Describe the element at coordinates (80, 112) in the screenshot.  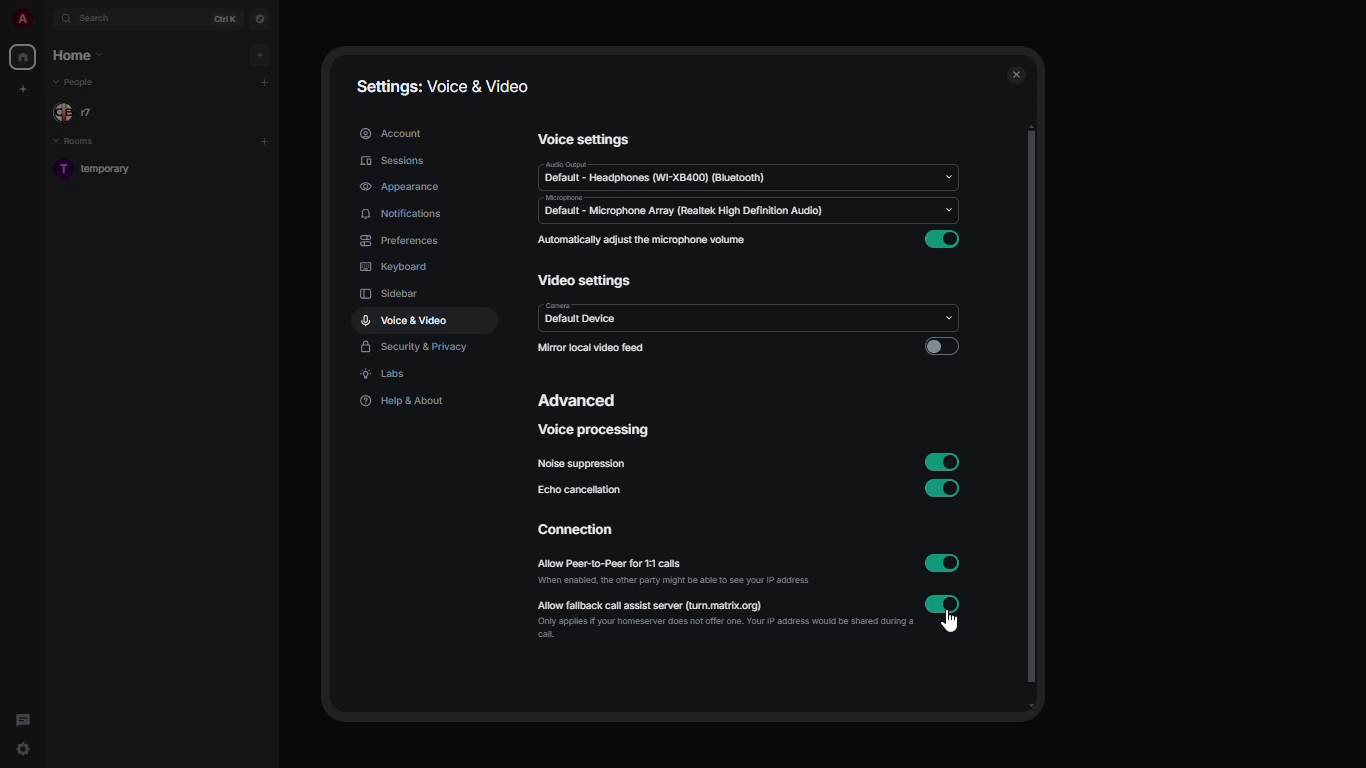
I see `people` at that location.